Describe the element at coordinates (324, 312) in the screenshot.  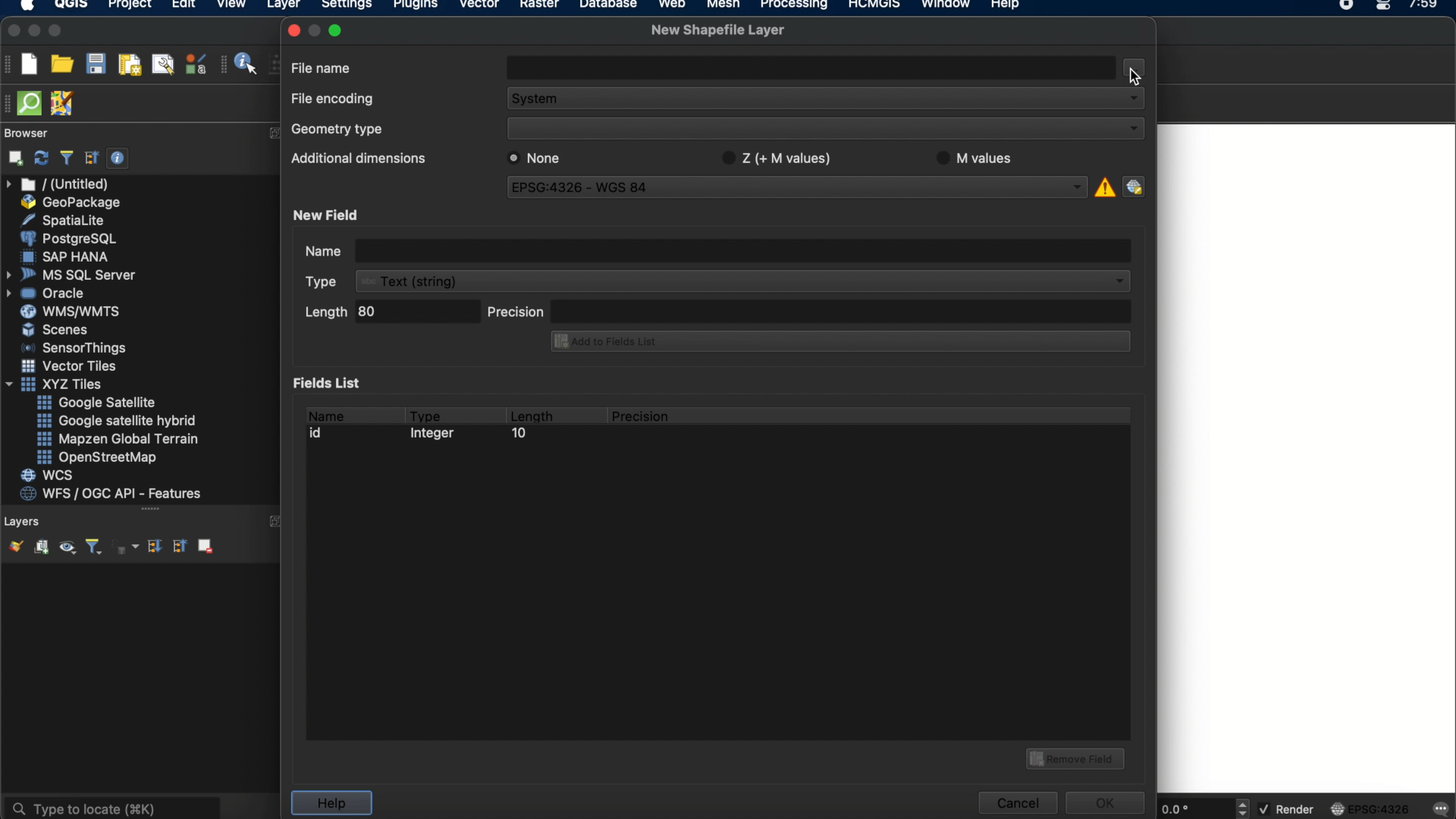
I see `length` at that location.